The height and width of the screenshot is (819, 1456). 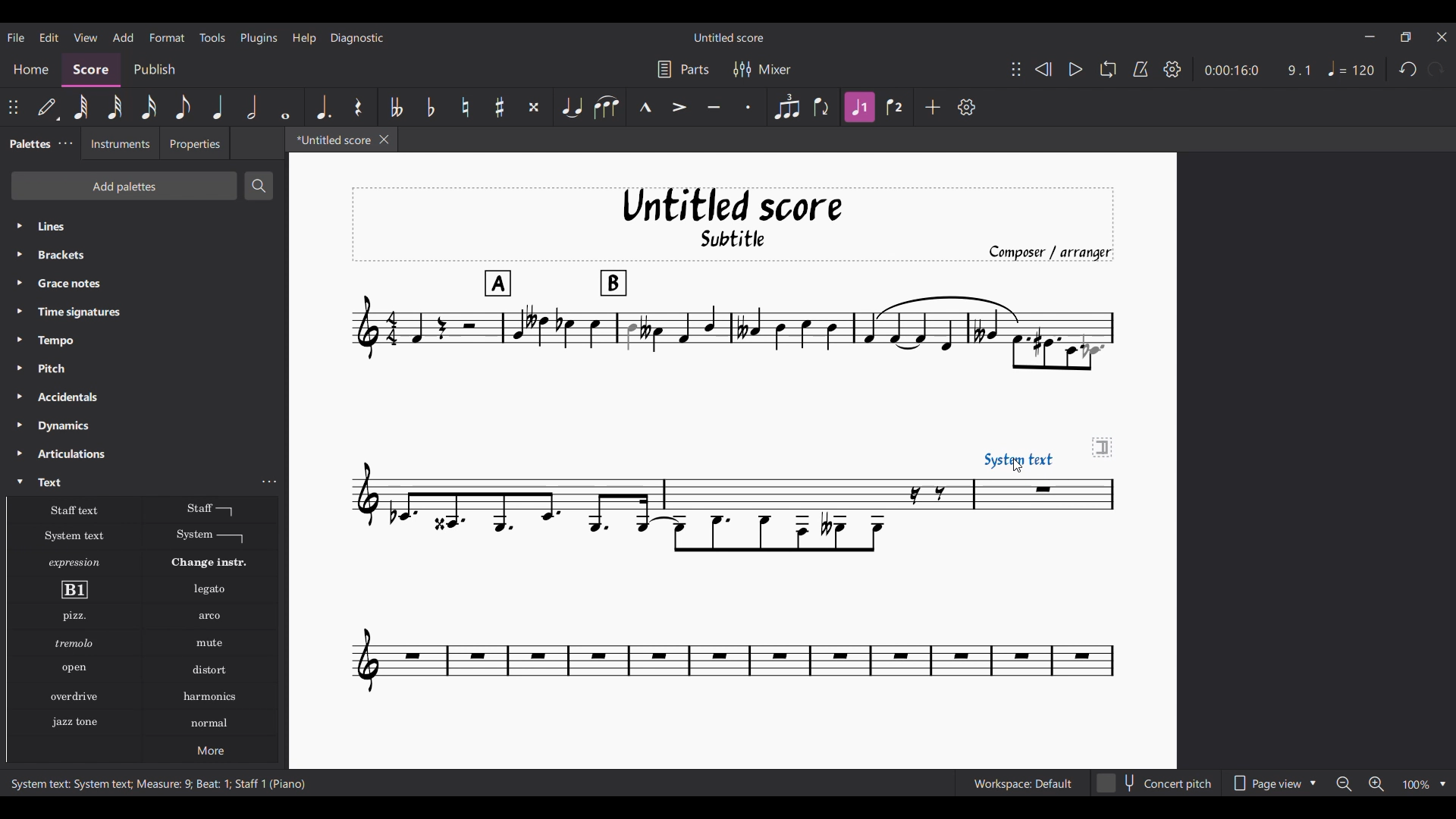 What do you see at coordinates (209, 697) in the screenshot?
I see `Harmonics` at bounding box center [209, 697].